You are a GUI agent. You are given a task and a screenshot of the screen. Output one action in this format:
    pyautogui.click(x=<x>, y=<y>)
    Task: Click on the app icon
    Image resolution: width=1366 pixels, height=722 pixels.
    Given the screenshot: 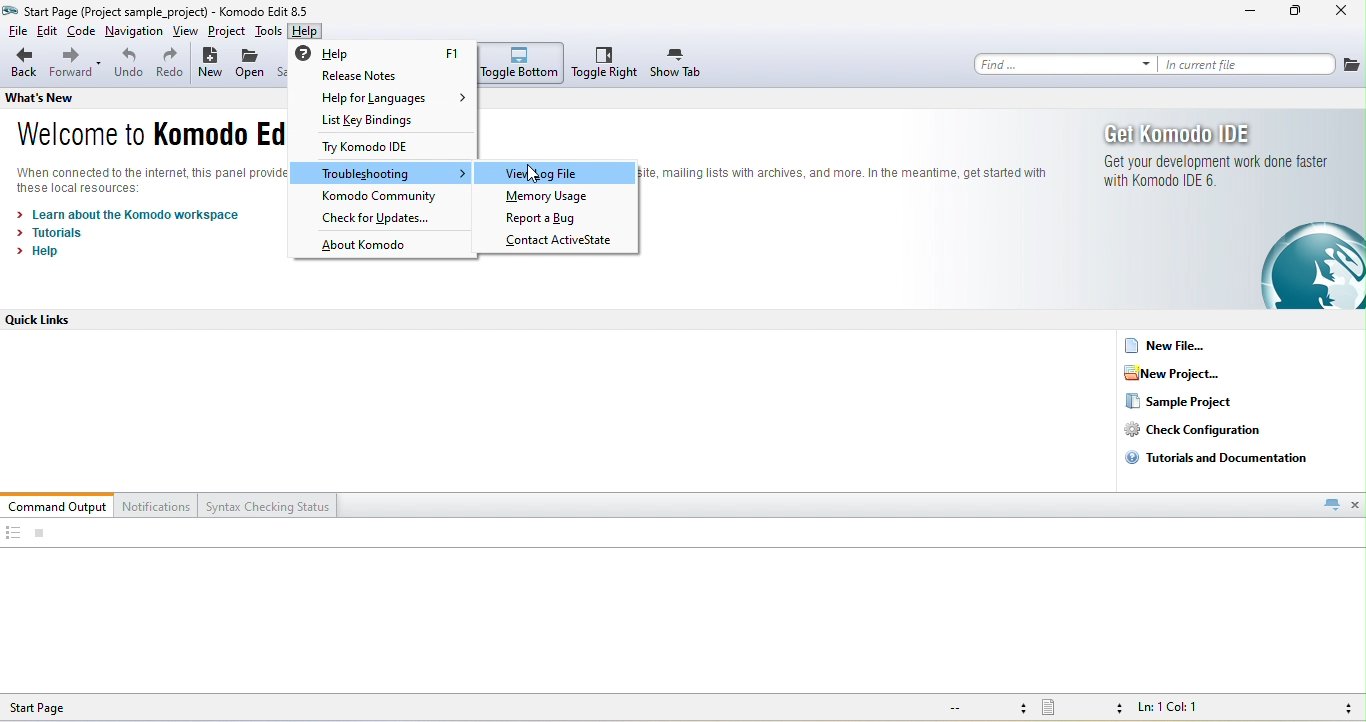 What is the action you would take?
    pyautogui.click(x=11, y=10)
    